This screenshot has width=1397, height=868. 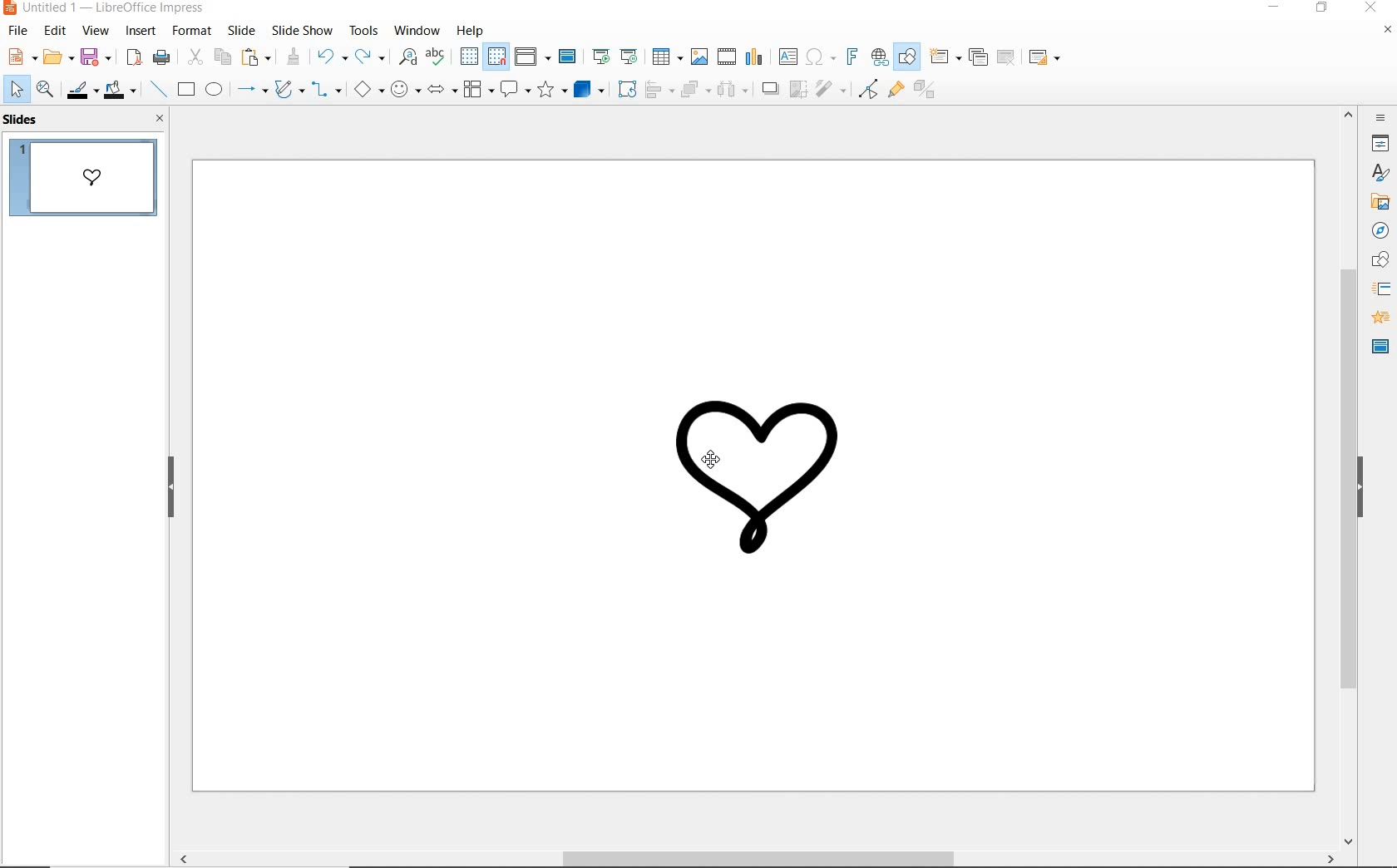 I want to click on insert video, so click(x=726, y=57).